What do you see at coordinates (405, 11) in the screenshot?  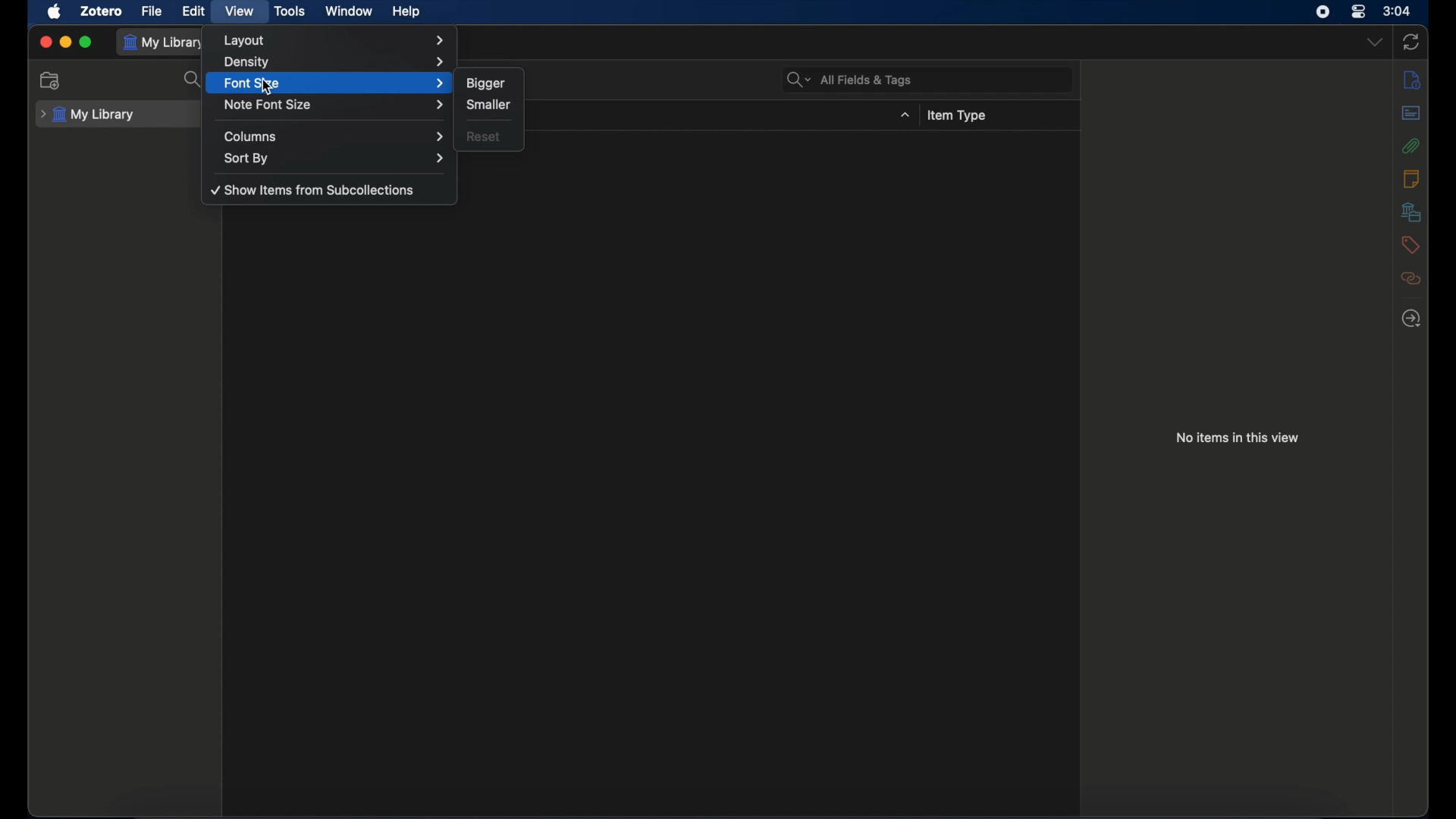 I see `help` at bounding box center [405, 11].